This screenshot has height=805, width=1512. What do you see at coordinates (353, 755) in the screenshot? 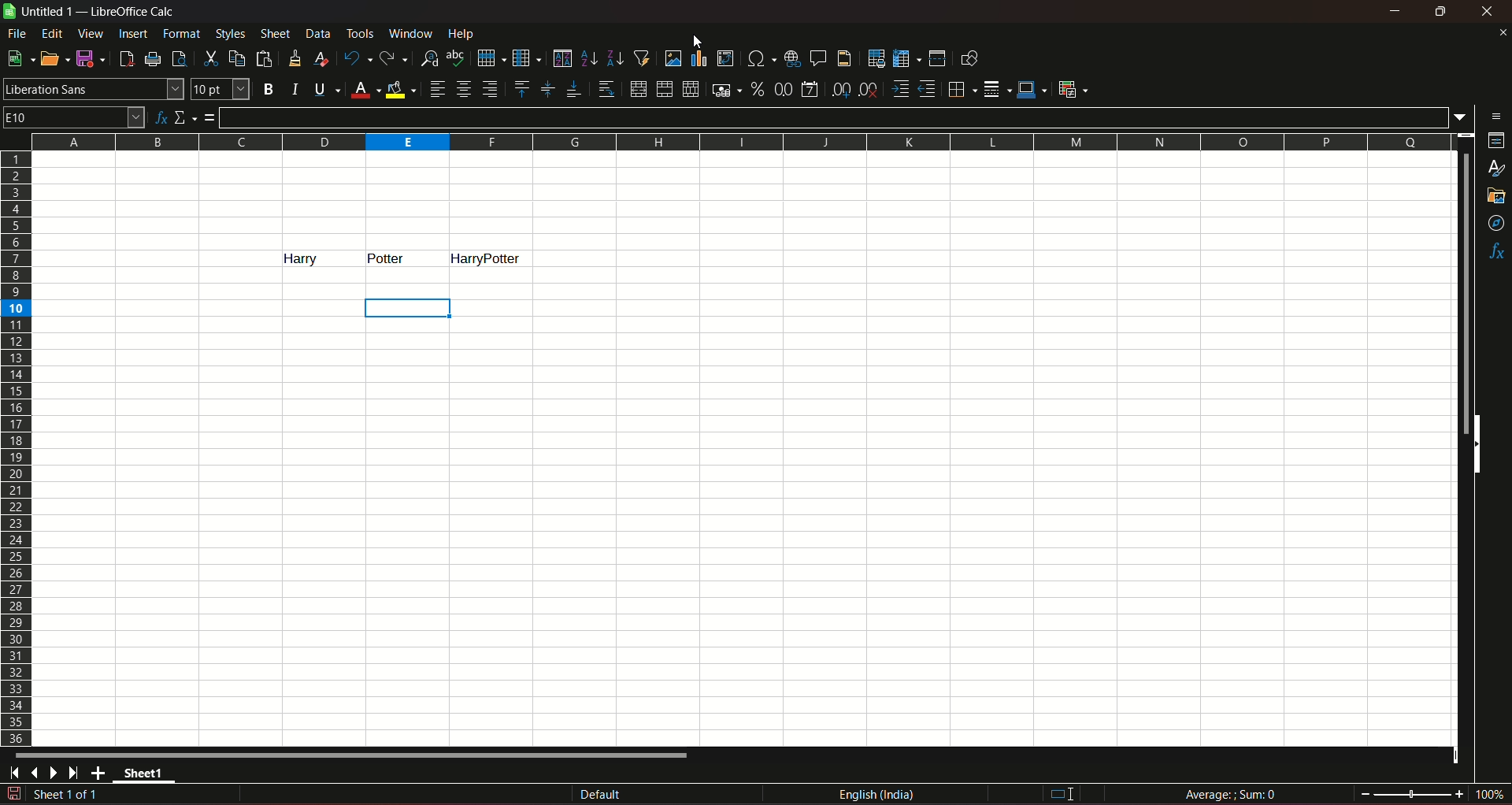
I see `horizontal scrollbar` at bounding box center [353, 755].